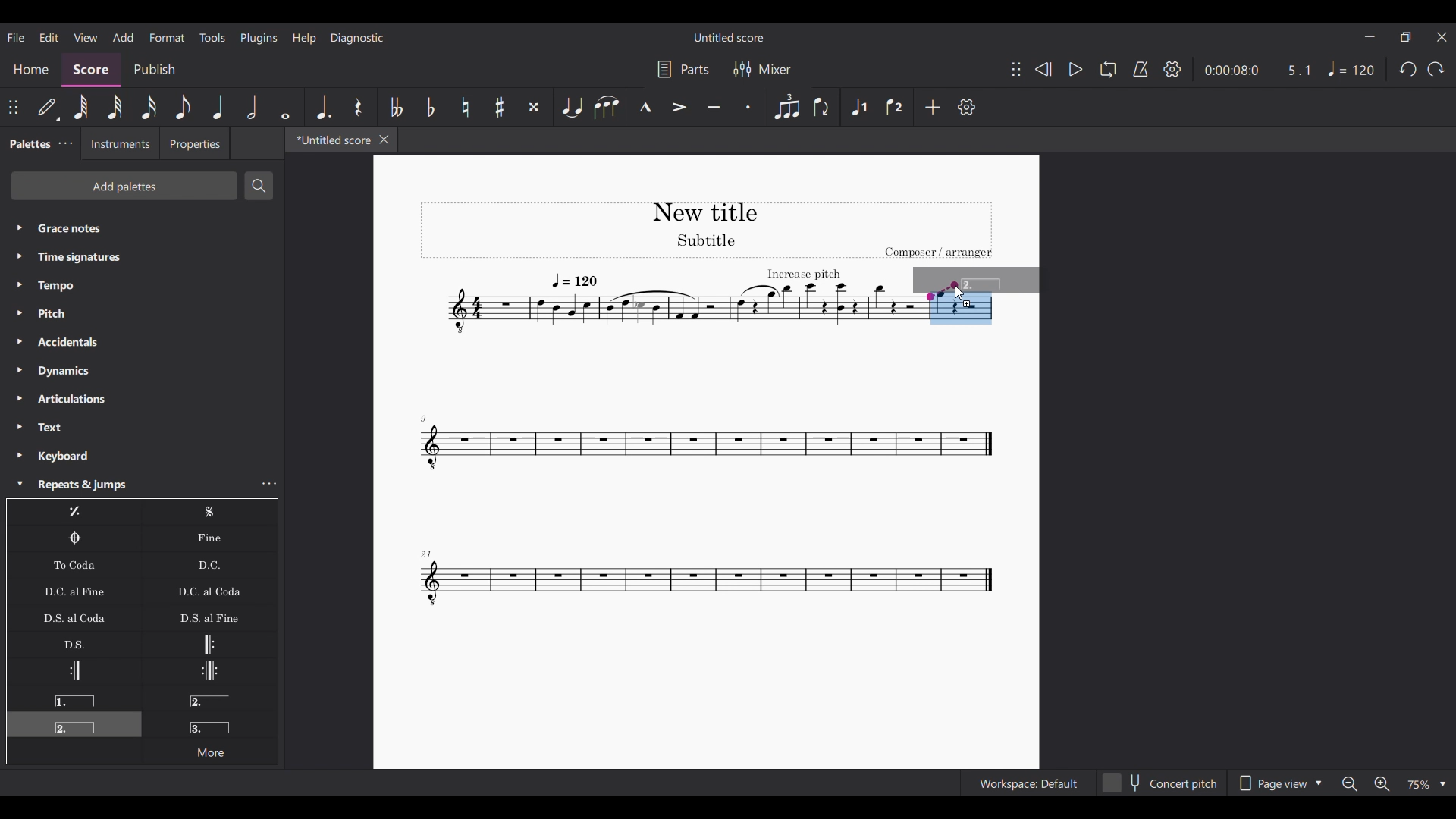  I want to click on Mixer settings, so click(763, 69).